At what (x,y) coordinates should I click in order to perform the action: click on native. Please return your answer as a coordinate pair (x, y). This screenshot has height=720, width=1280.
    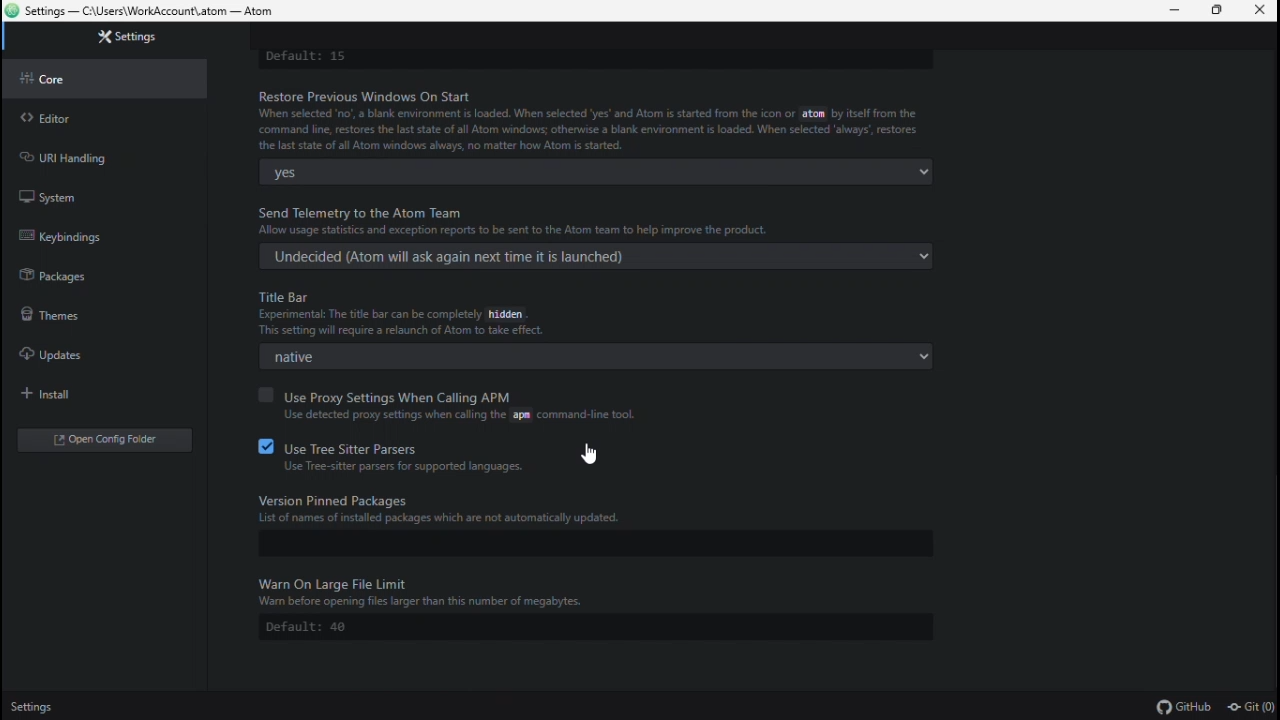
    Looking at the image, I should click on (588, 356).